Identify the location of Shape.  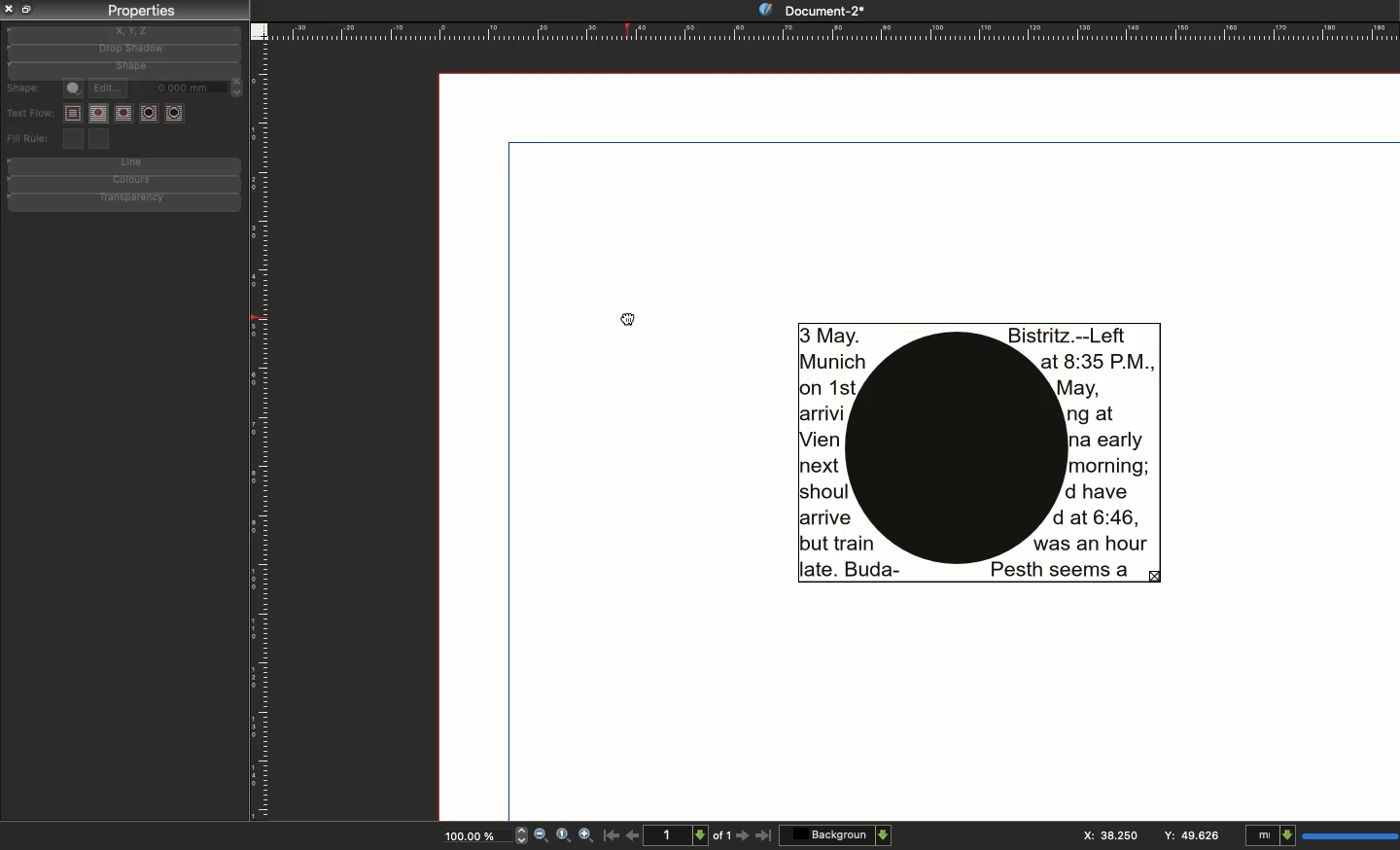
(127, 67).